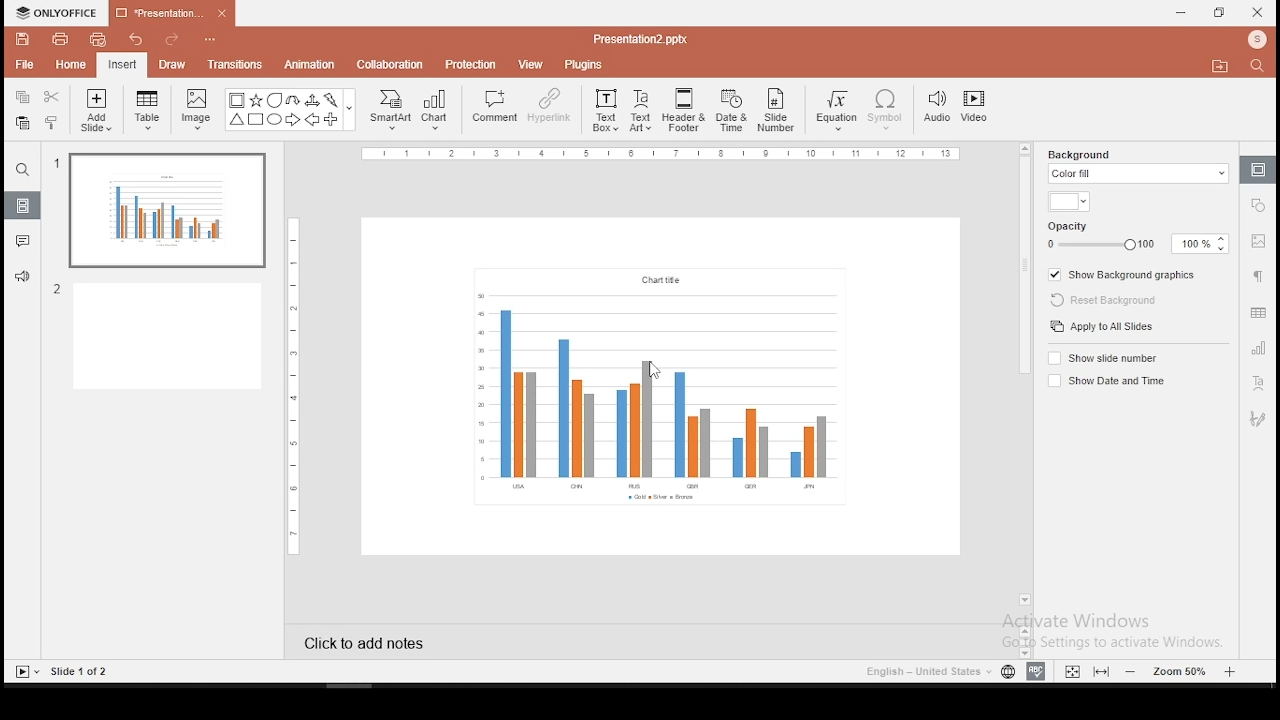 This screenshot has height=720, width=1280. What do you see at coordinates (72, 65) in the screenshot?
I see `home` at bounding box center [72, 65].